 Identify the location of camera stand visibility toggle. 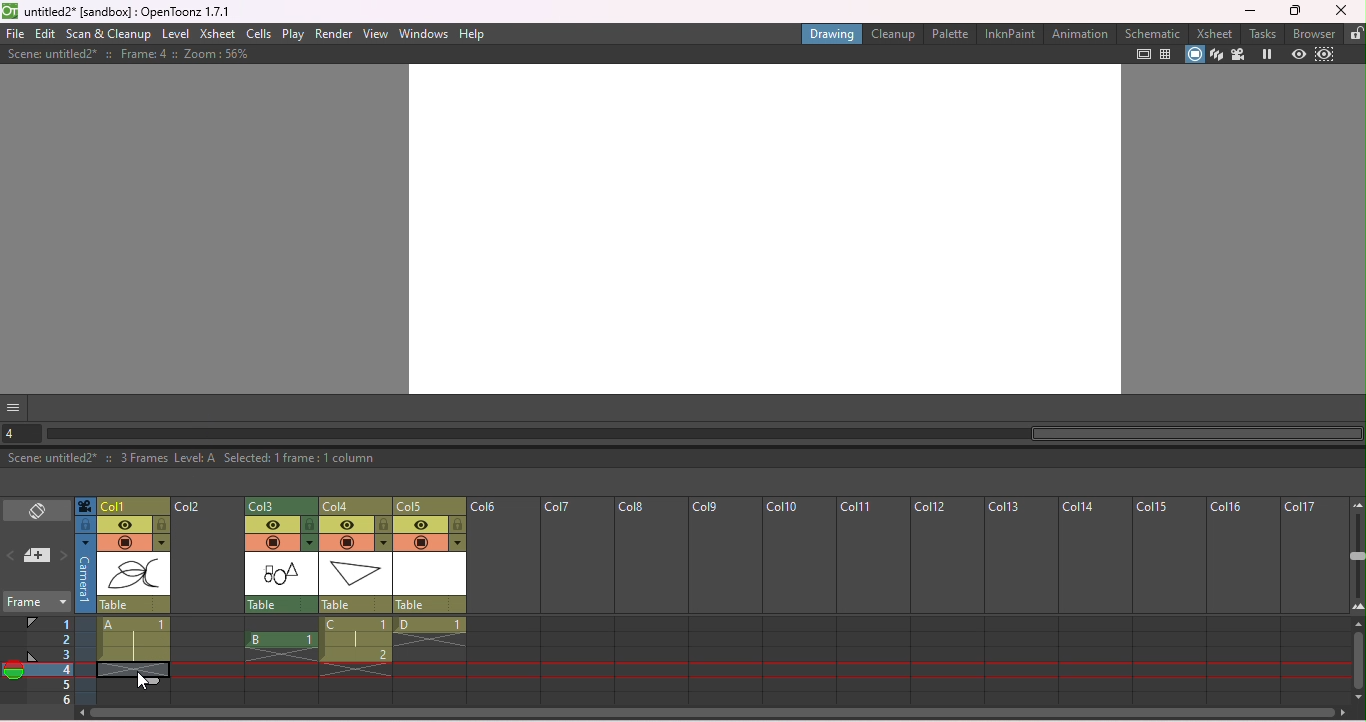
(347, 543).